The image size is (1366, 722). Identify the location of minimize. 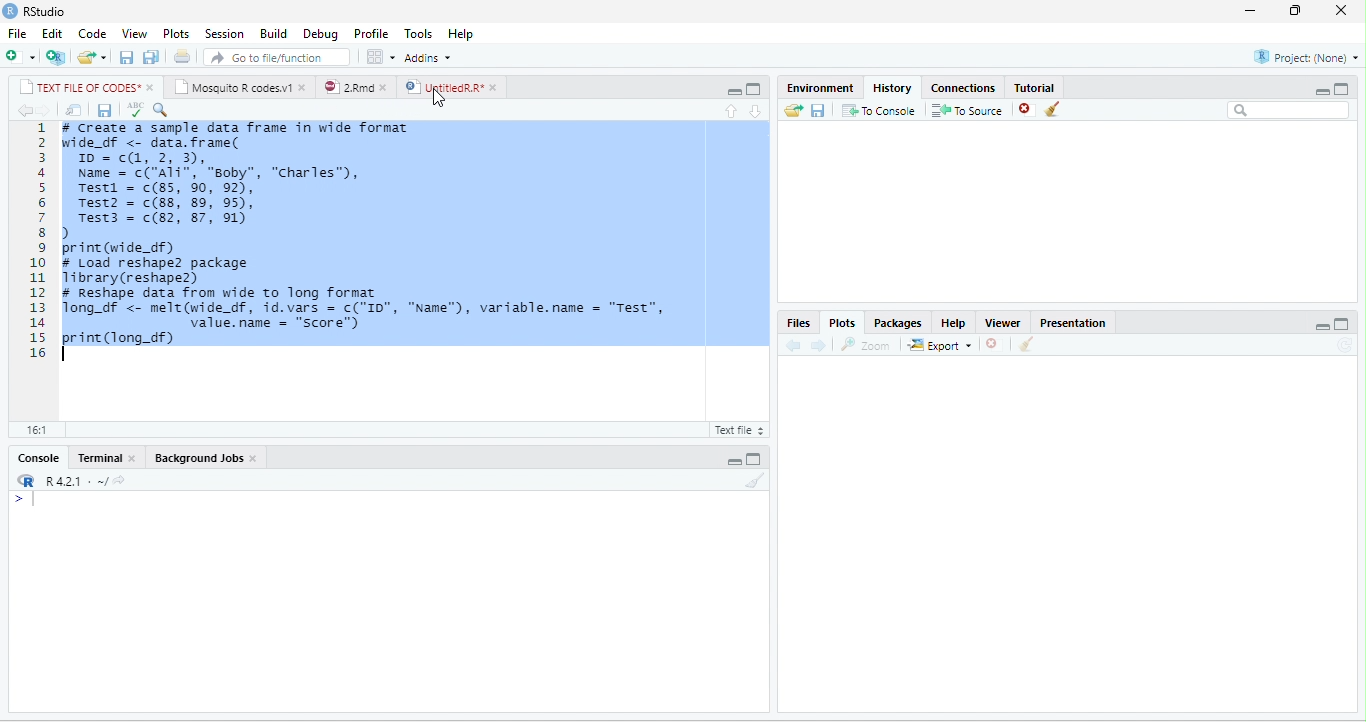
(1249, 12).